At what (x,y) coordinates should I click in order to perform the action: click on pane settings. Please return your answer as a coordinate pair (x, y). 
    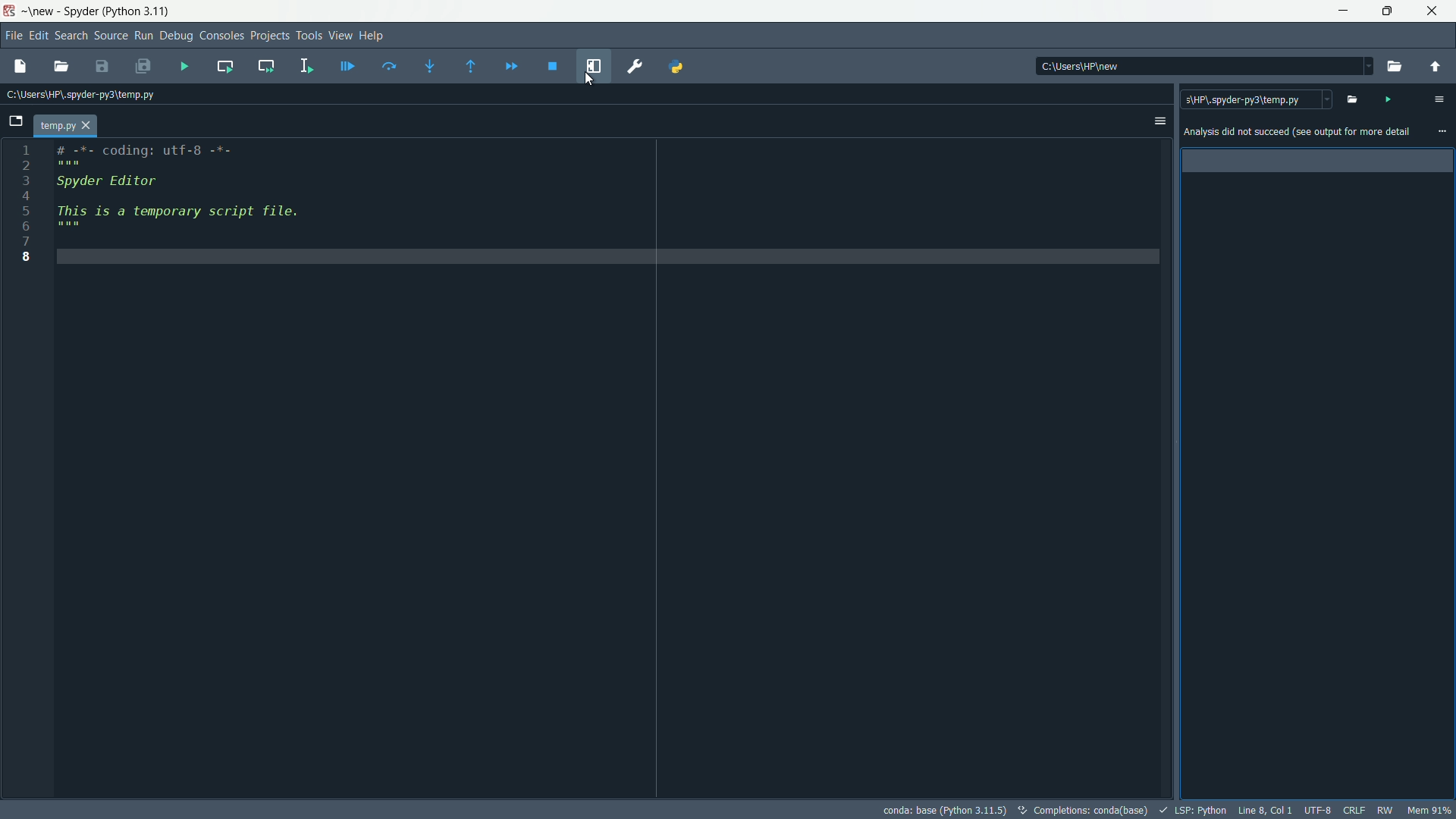
    Looking at the image, I should click on (1439, 99).